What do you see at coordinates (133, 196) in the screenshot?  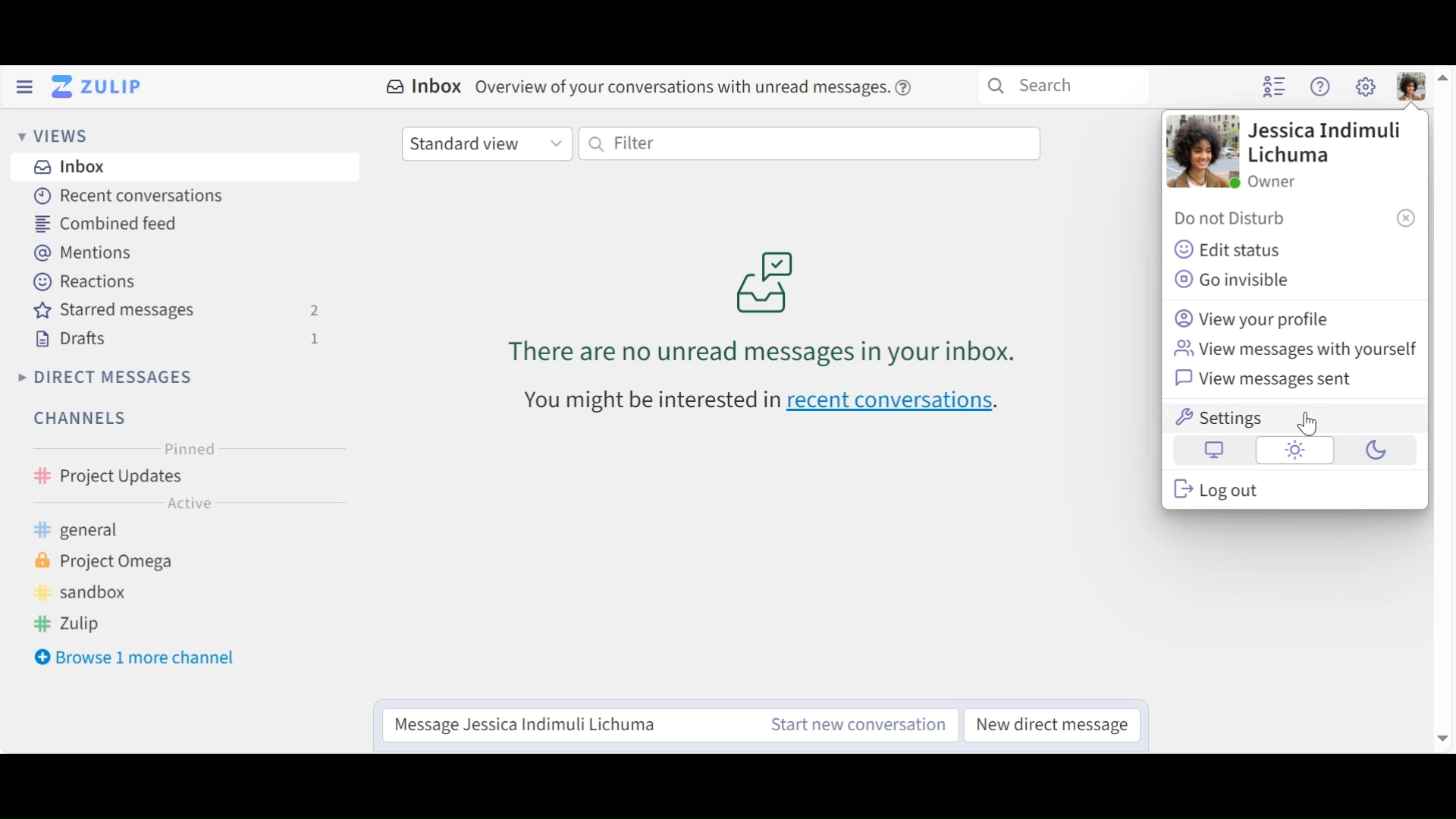 I see `Recent Conversations` at bounding box center [133, 196].